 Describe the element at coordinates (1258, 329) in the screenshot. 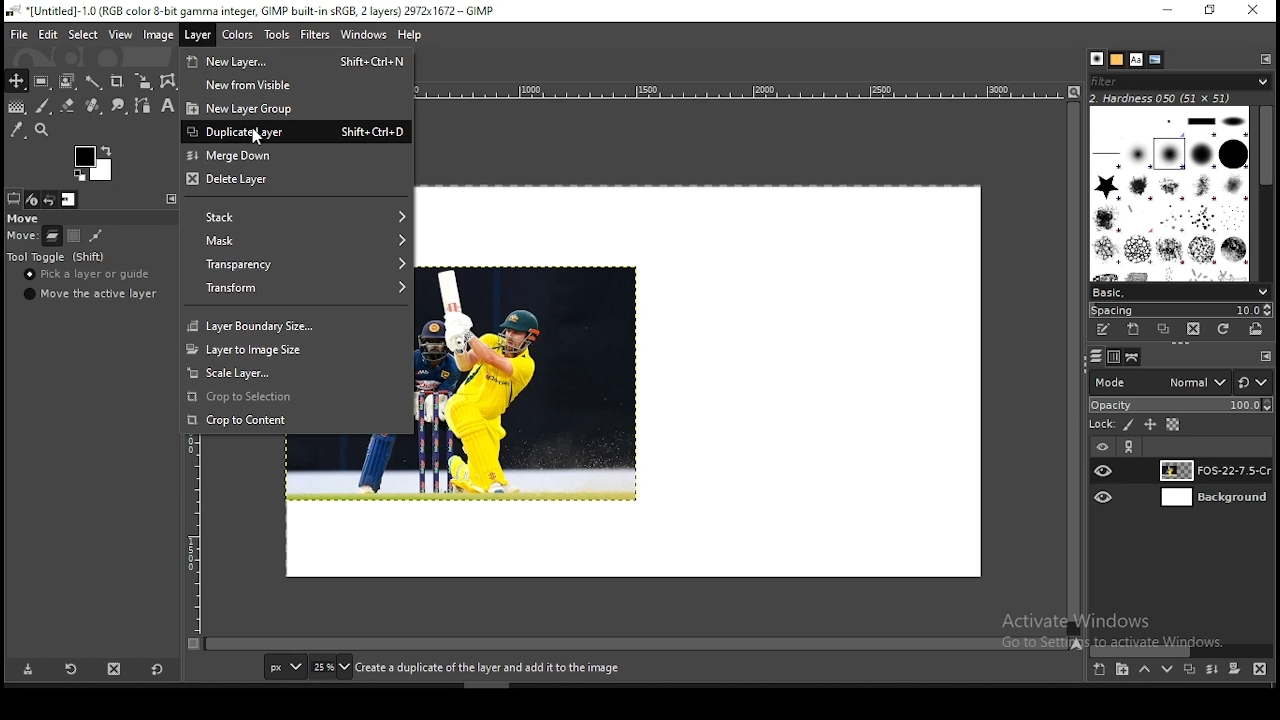

I see `open brush as image` at that location.